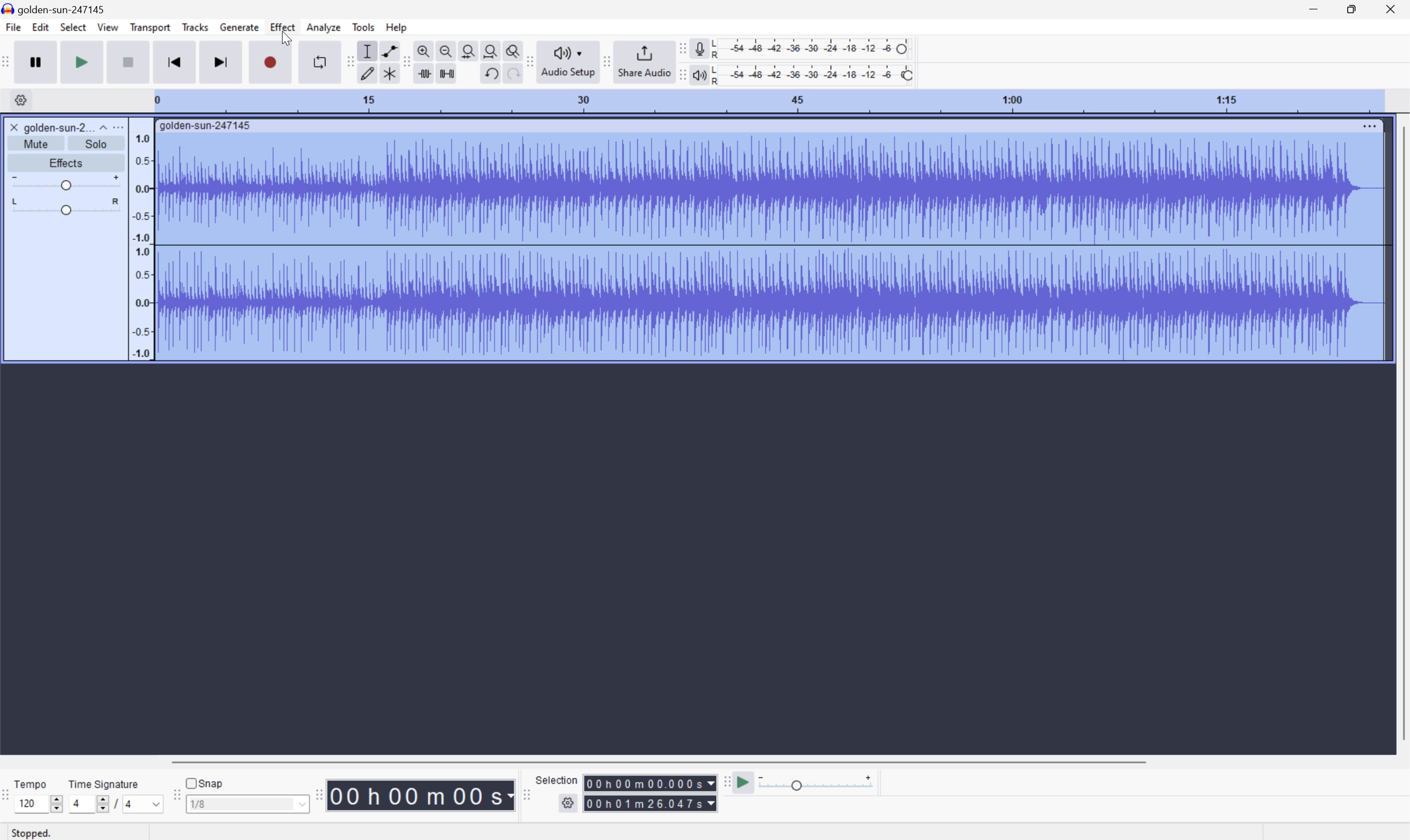 Image resolution: width=1410 pixels, height=840 pixels. I want to click on Record / Record new track, so click(270, 62).